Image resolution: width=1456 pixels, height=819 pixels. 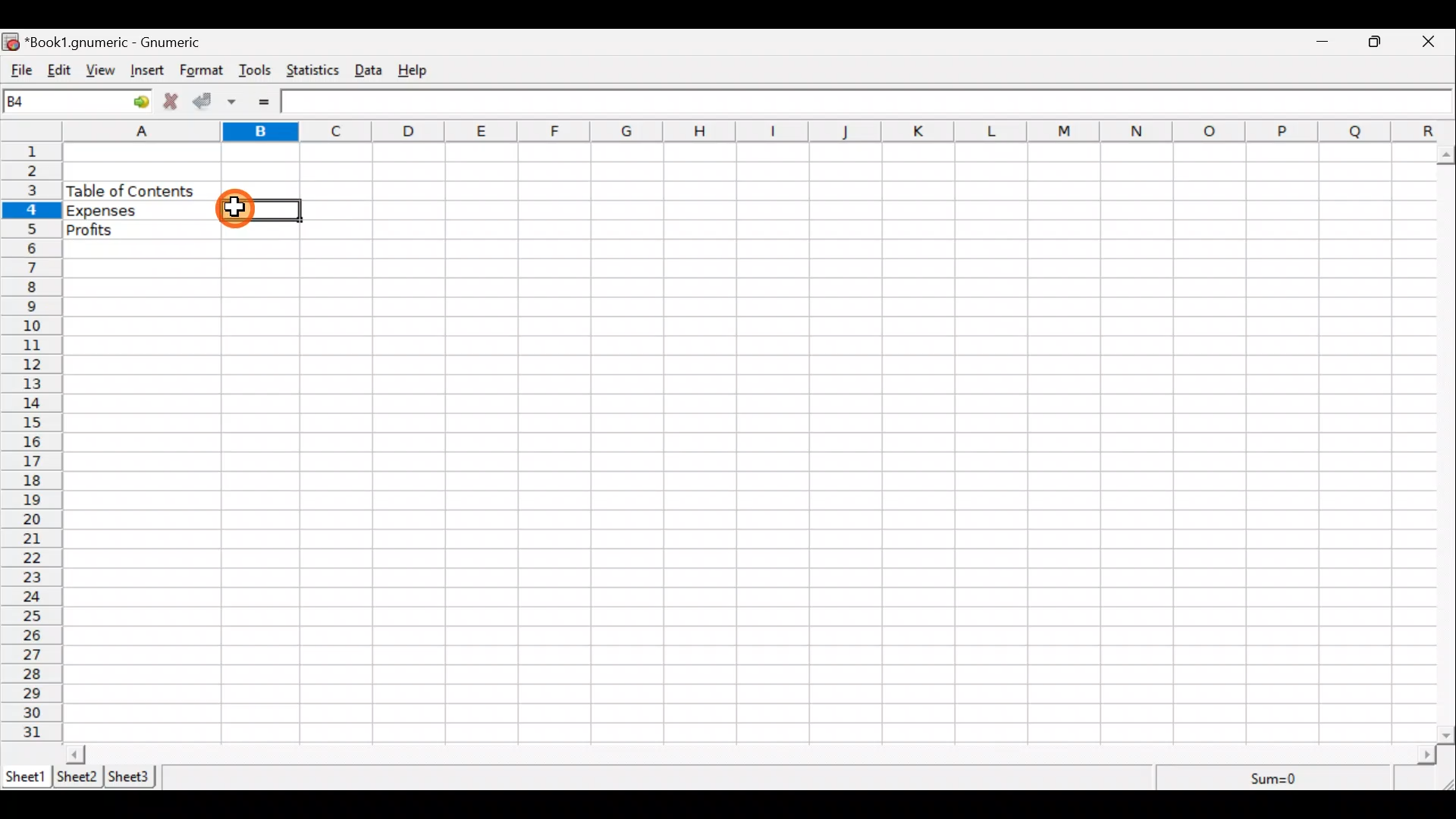 What do you see at coordinates (315, 72) in the screenshot?
I see `Statistics` at bounding box center [315, 72].